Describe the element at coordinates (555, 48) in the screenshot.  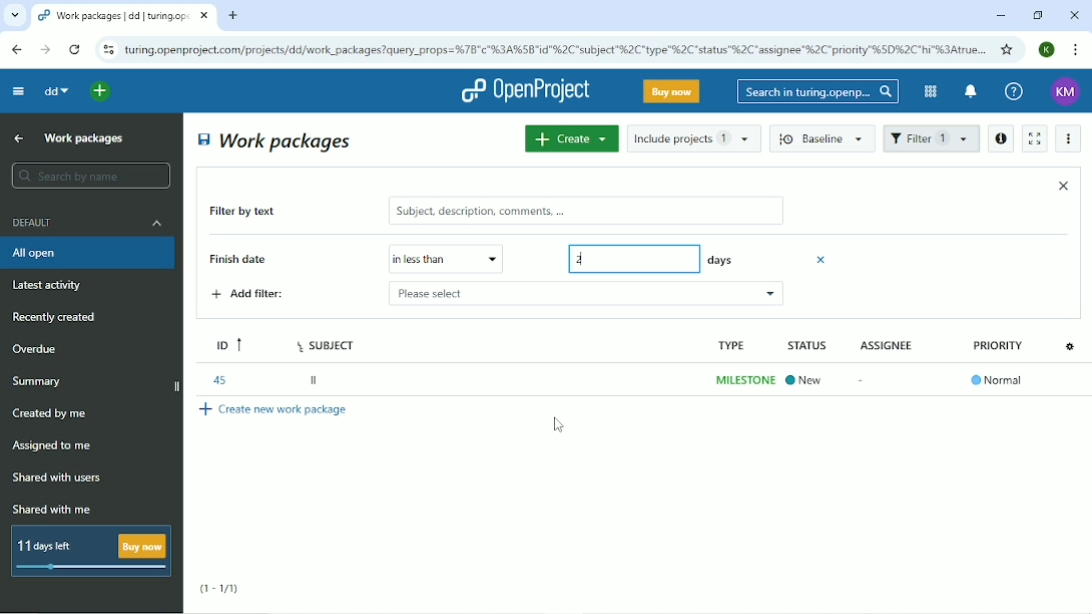
I see `Site address` at that location.